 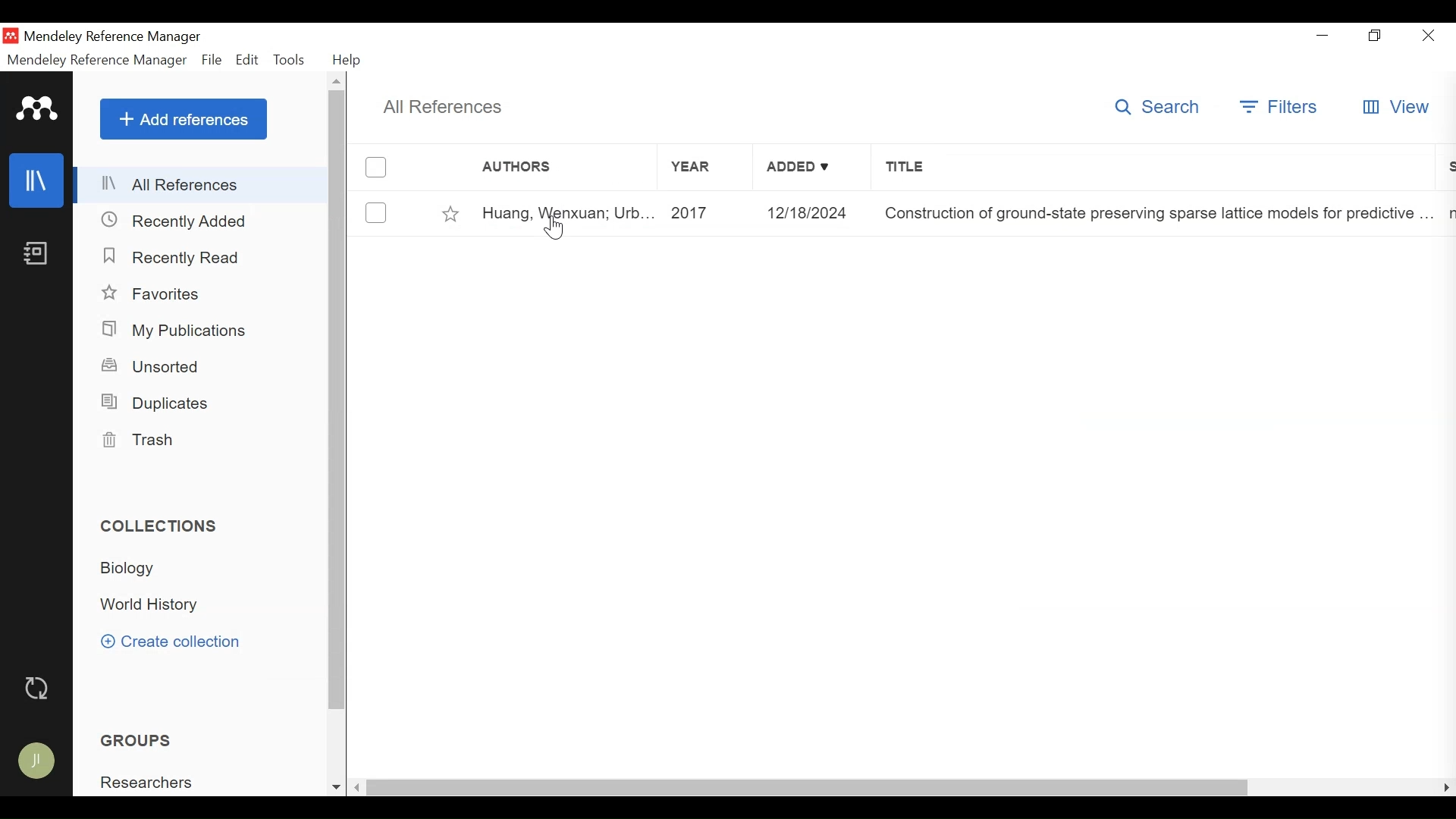 I want to click on Favorites, so click(x=154, y=294).